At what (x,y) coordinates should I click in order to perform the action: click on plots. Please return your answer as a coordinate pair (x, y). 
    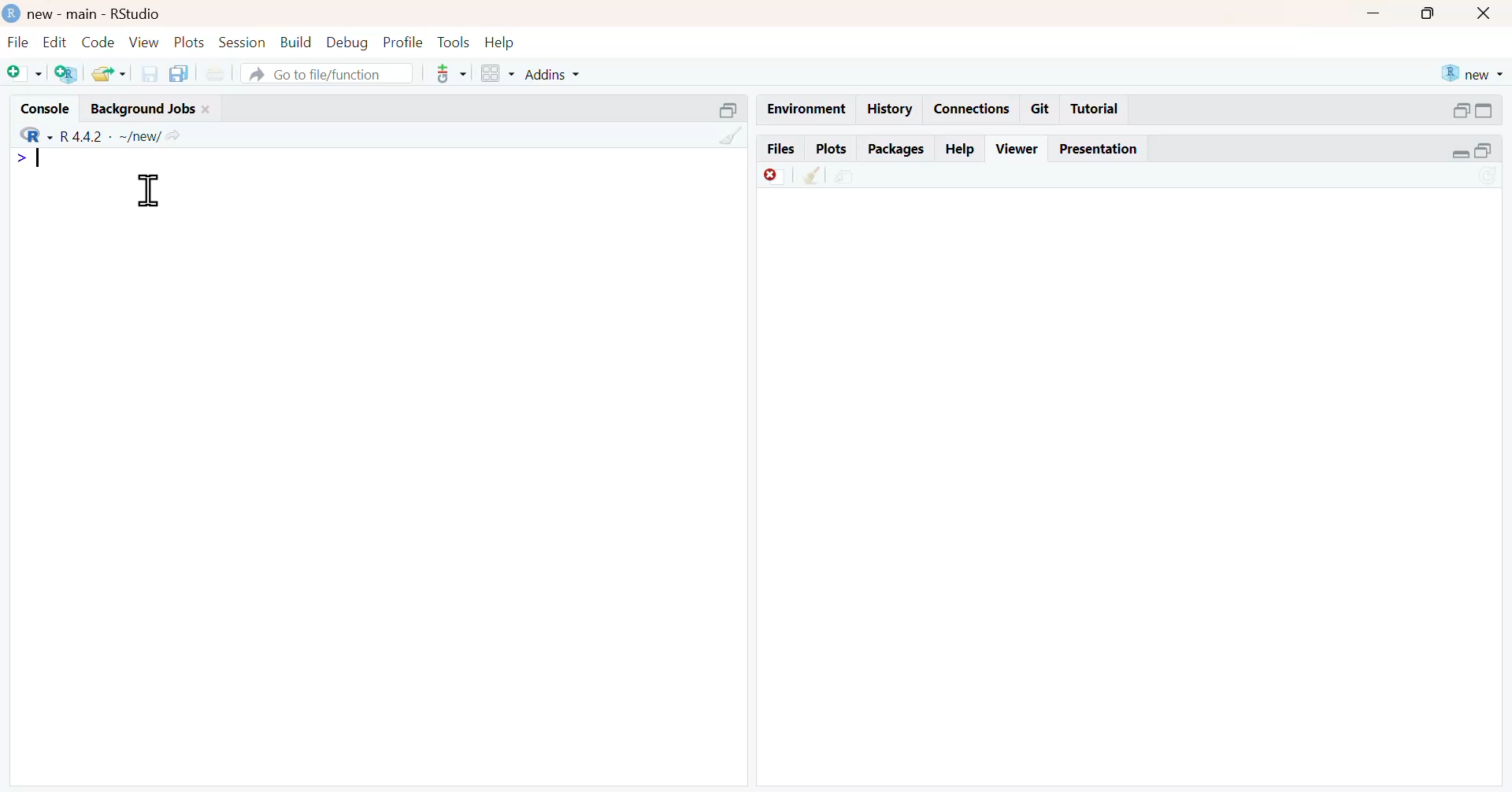
    Looking at the image, I should click on (191, 43).